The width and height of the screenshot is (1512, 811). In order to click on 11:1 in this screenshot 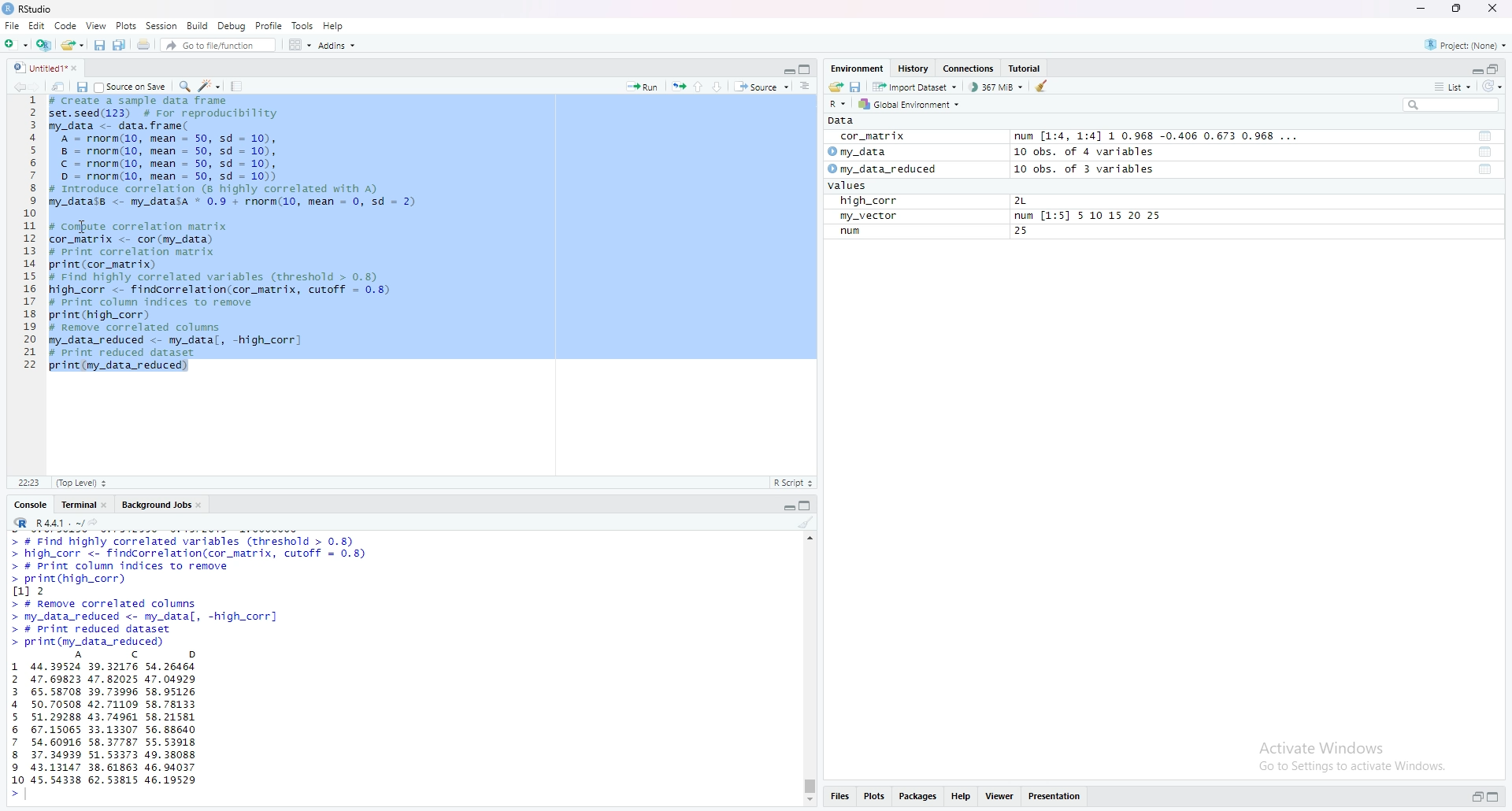, I will do `click(31, 483)`.